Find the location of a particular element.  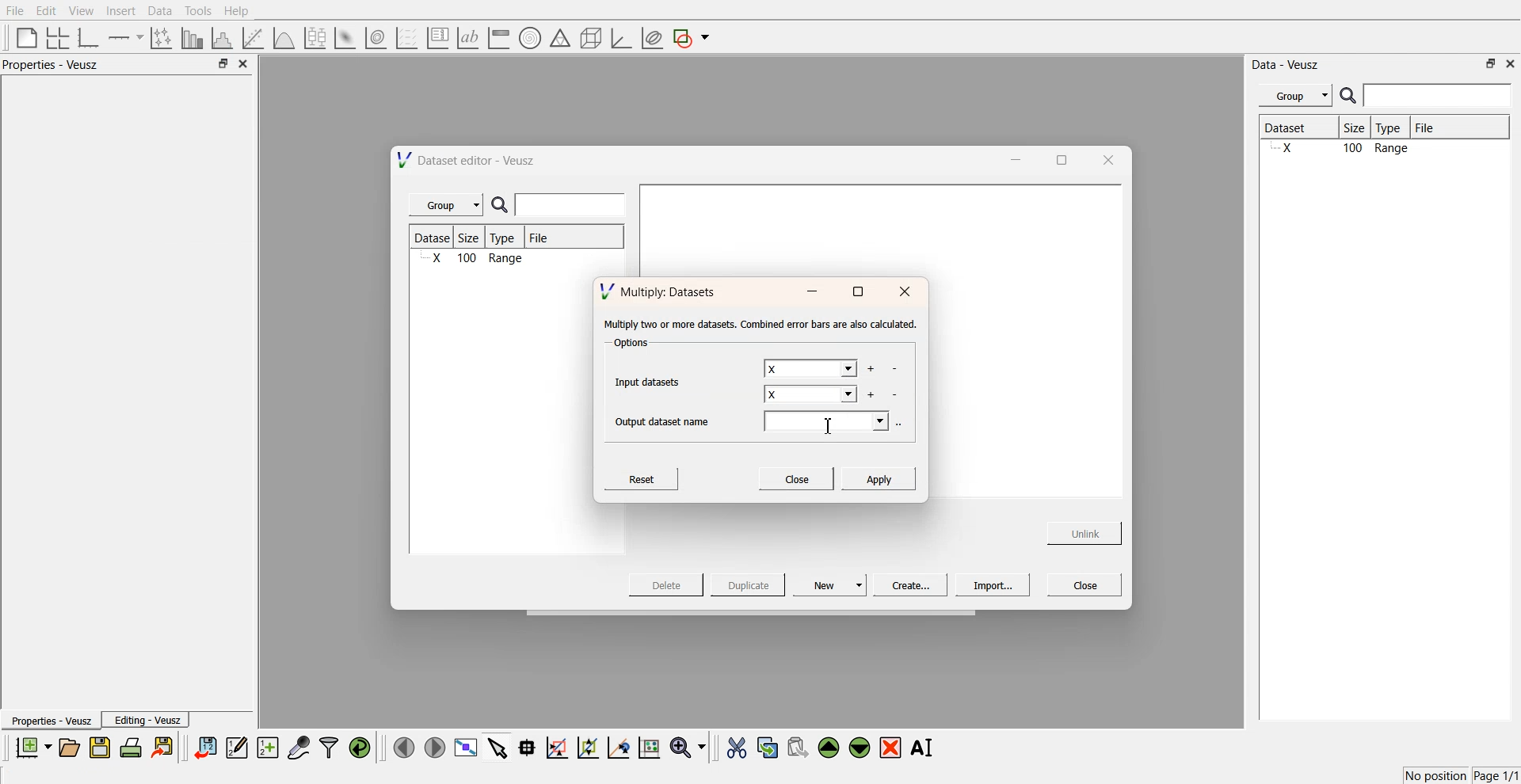

remove the selected widgets is located at coordinates (892, 748).